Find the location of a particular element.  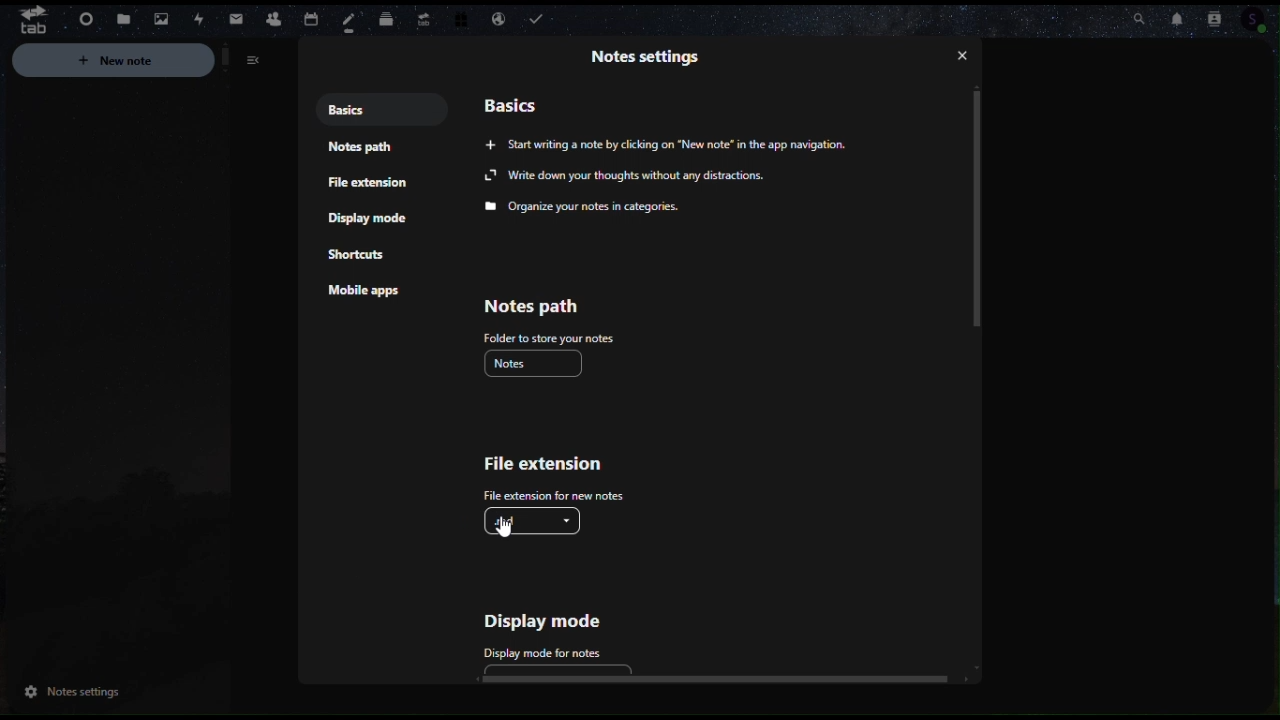

Notes path is located at coordinates (530, 307).